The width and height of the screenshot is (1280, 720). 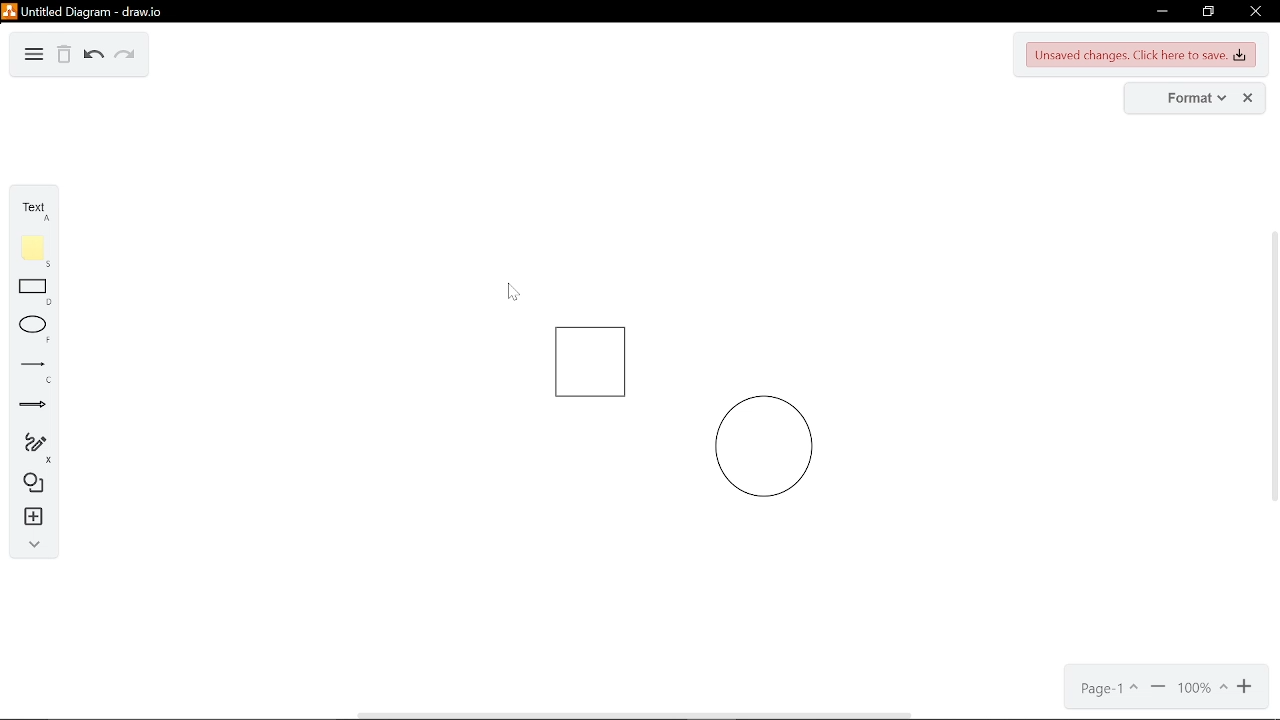 What do you see at coordinates (27, 408) in the screenshot?
I see `arrow` at bounding box center [27, 408].